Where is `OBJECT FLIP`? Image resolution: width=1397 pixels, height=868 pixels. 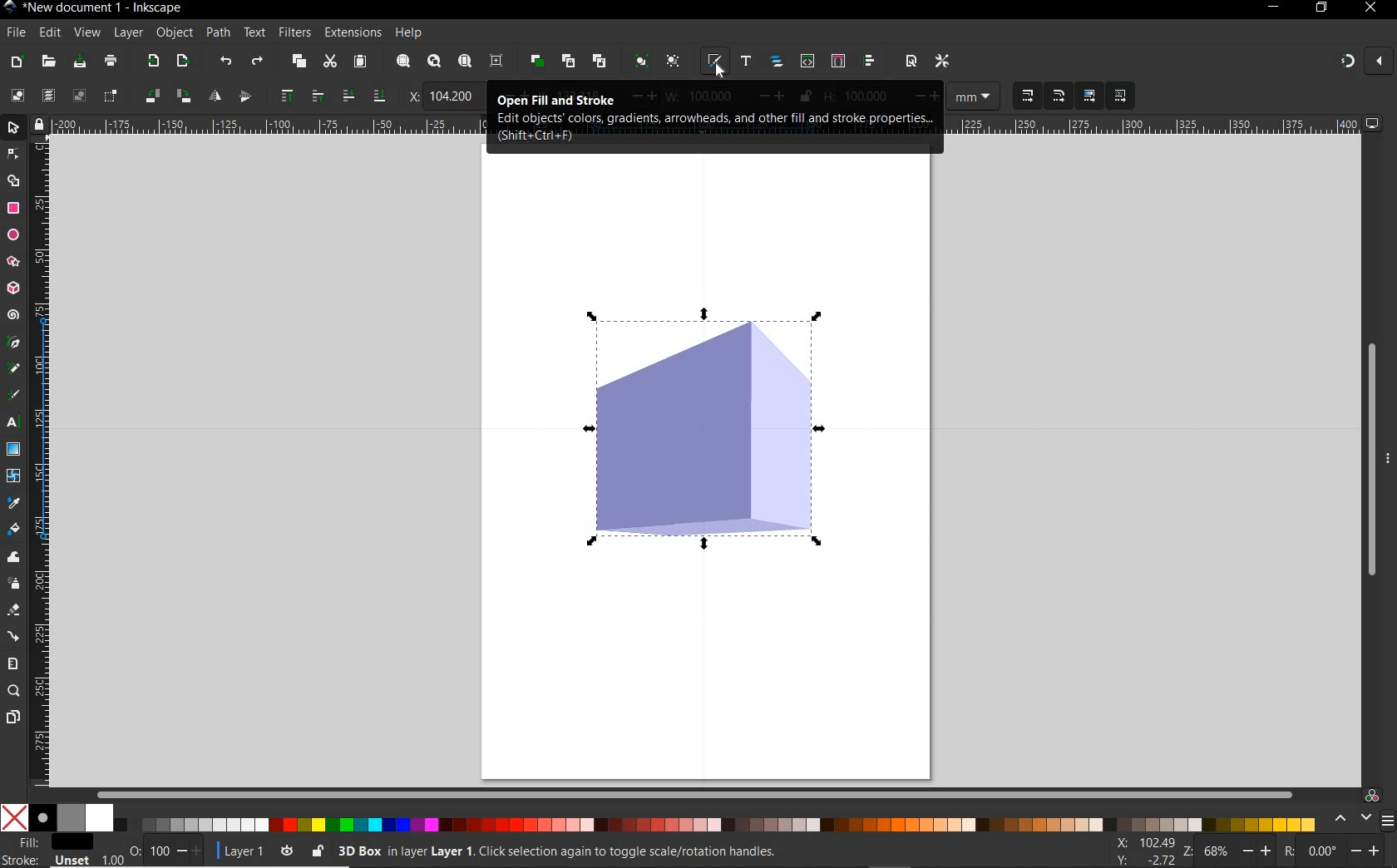
OBJECT FLIP is located at coordinates (244, 98).